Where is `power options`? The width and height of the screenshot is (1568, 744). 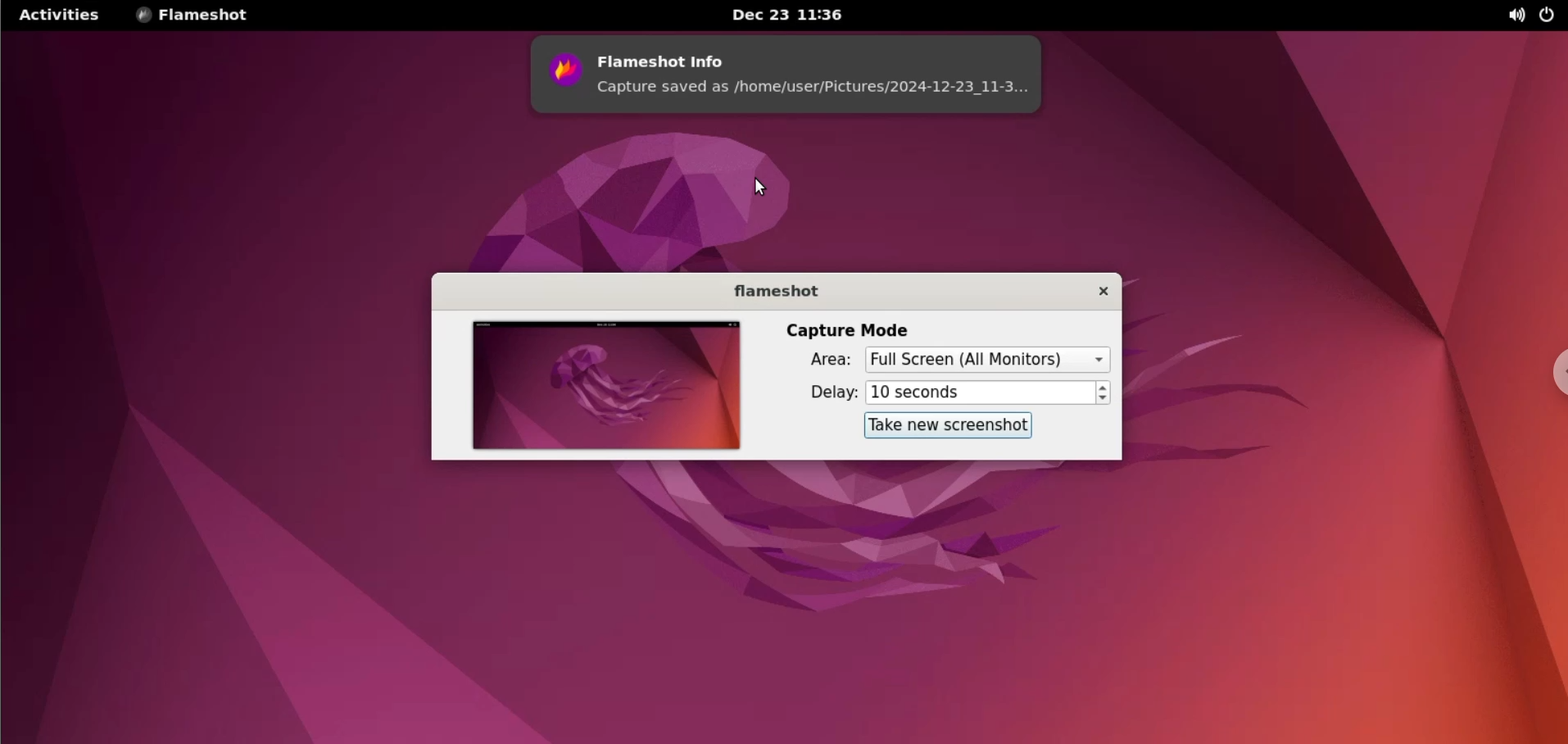 power options is located at coordinates (1547, 16).